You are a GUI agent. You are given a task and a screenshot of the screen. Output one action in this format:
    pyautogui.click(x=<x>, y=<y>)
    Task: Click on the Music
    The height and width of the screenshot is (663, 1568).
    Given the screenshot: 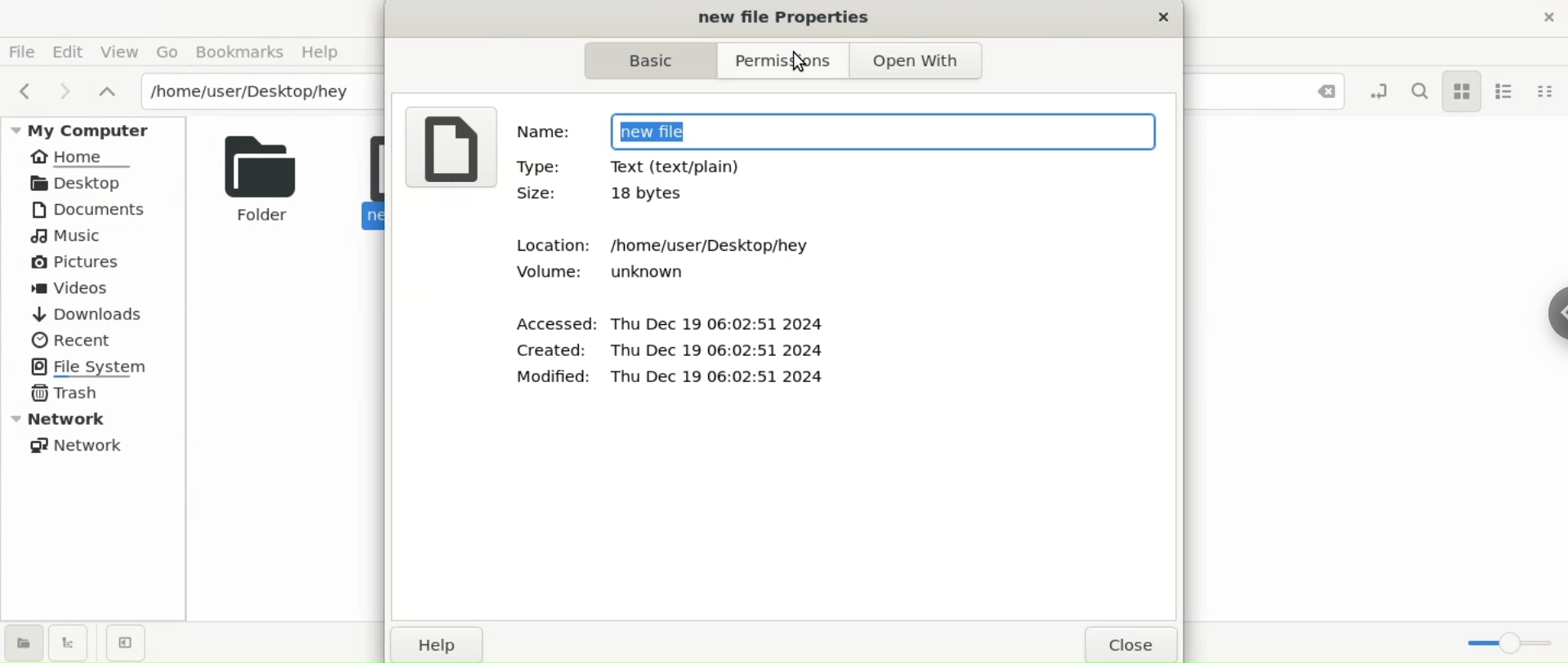 What is the action you would take?
    pyautogui.click(x=69, y=238)
    